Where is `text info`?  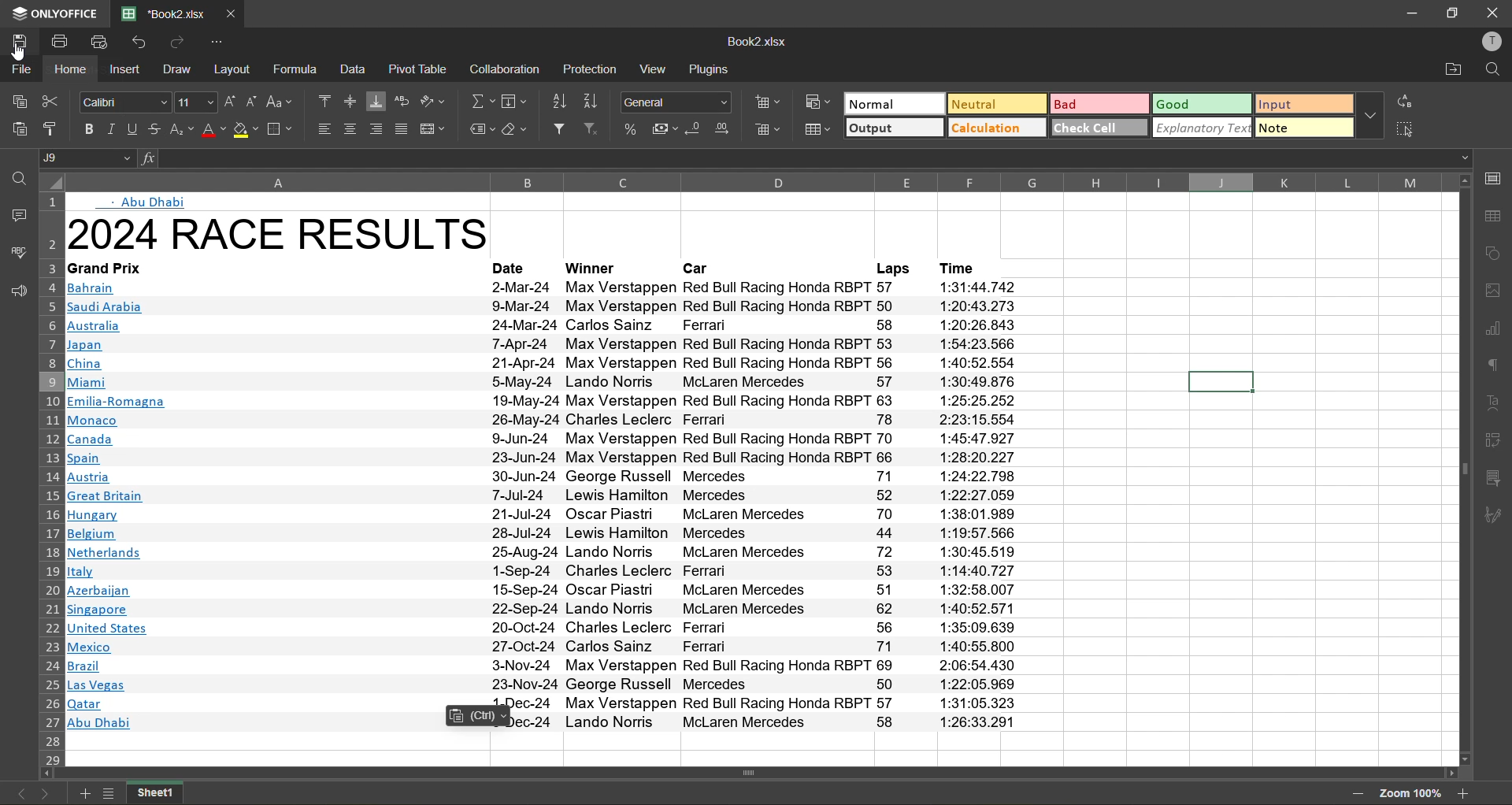 text info is located at coordinates (542, 440).